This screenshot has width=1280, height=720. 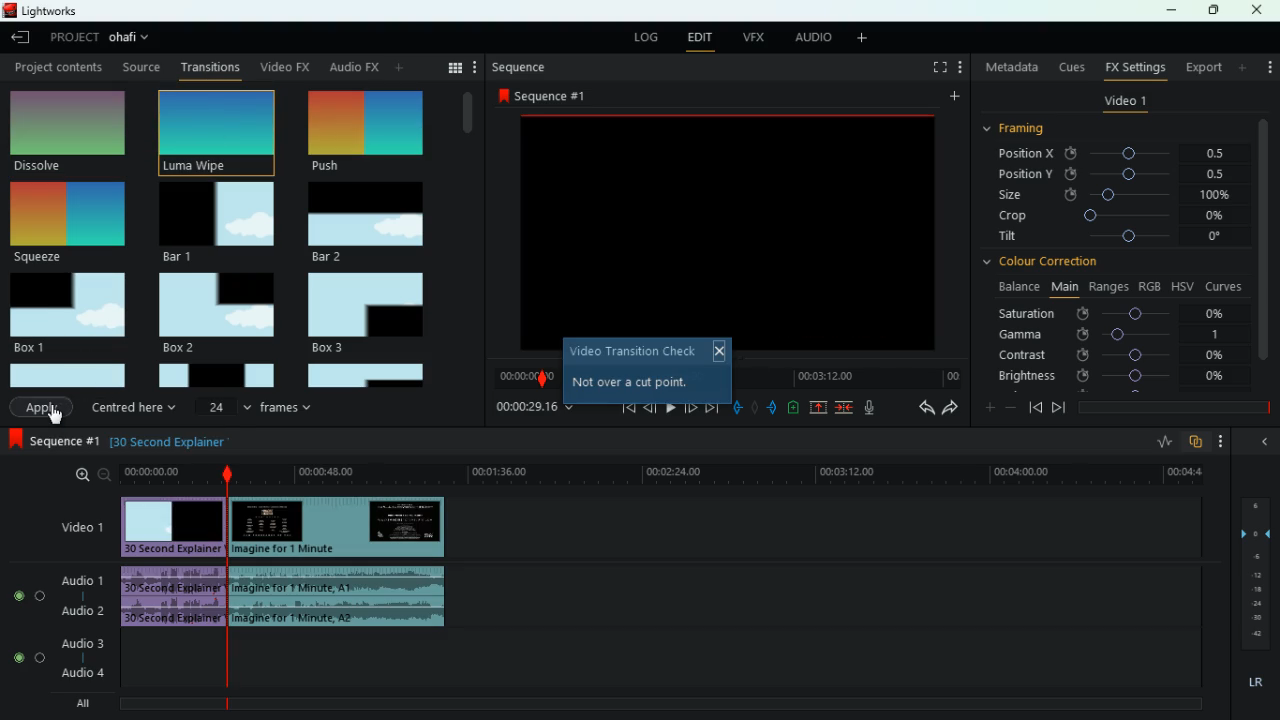 I want to click on balance, so click(x=1016, y=287).